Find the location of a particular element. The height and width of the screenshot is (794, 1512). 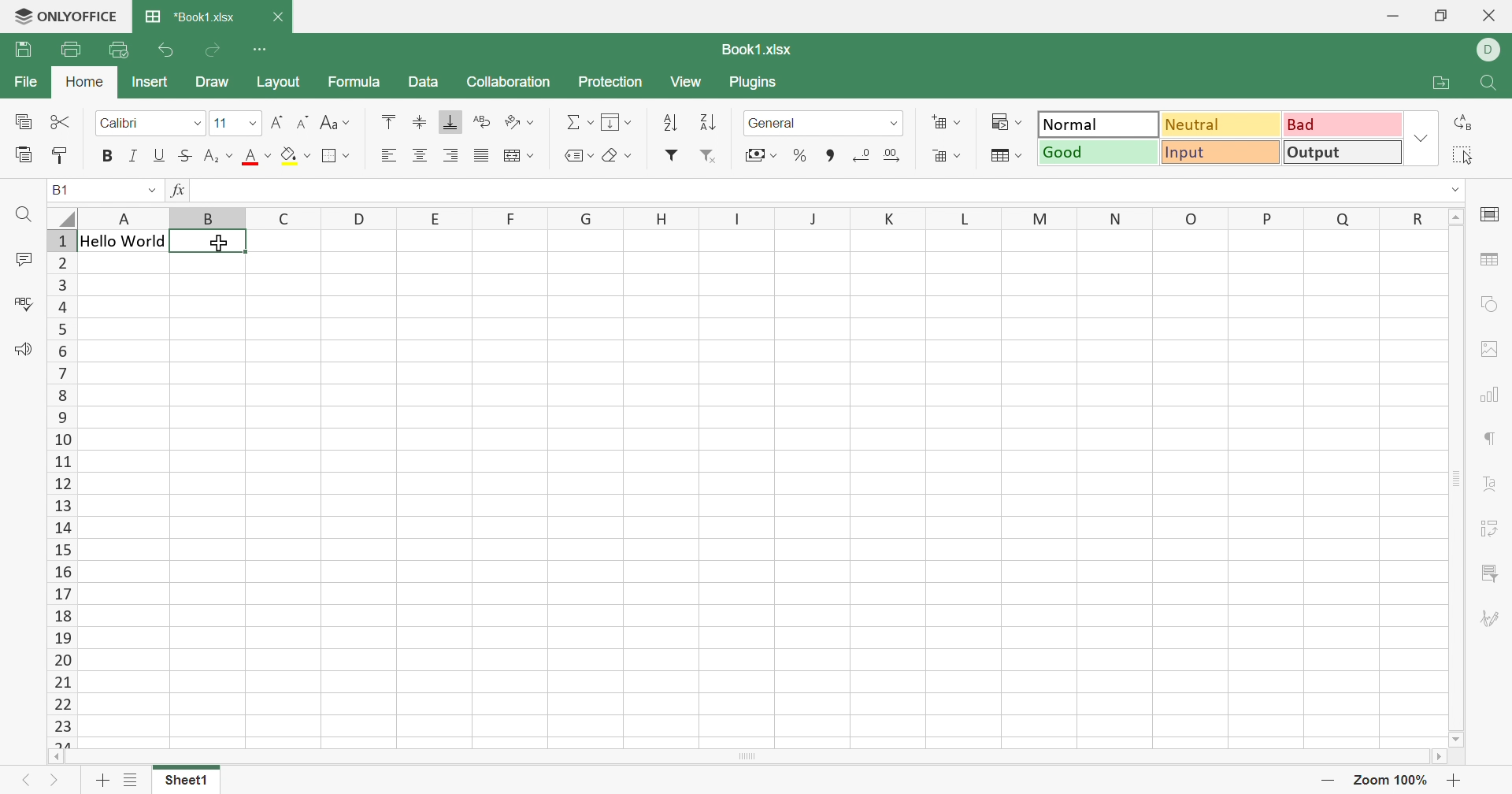

Increase decimal is located at coordinates (892, 158).